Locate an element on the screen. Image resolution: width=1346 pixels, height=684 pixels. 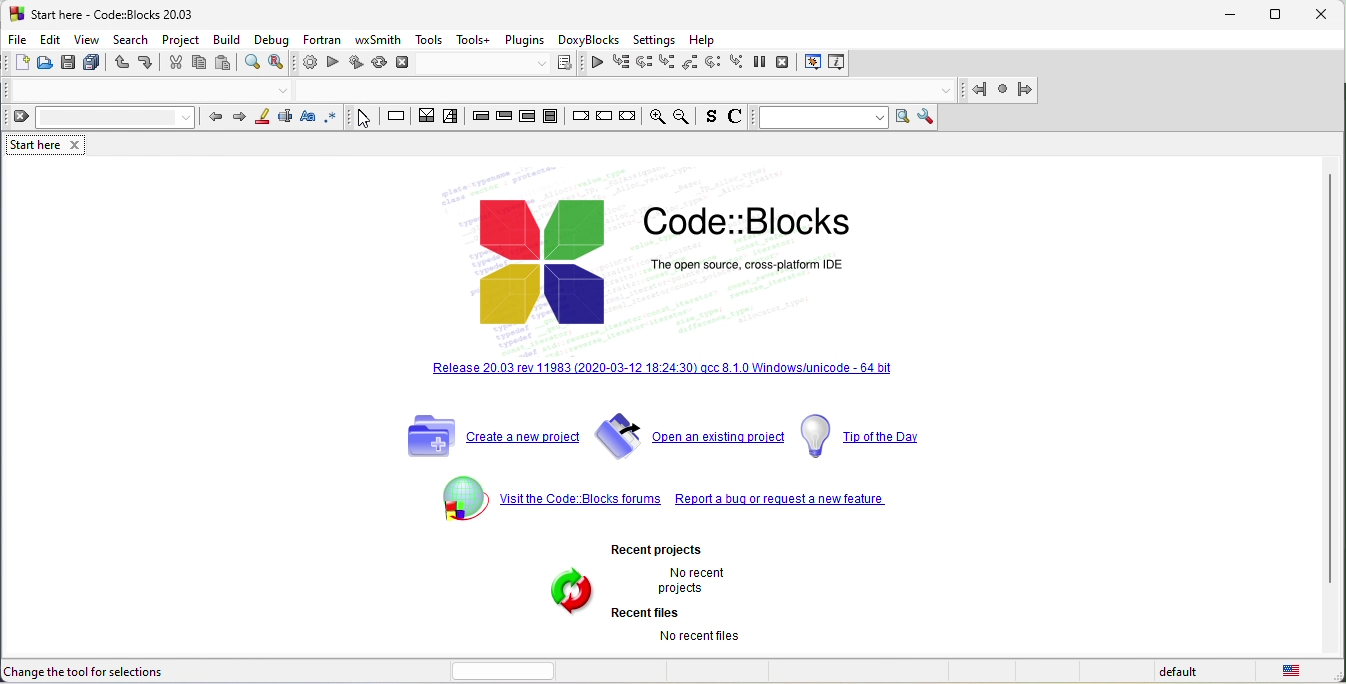
counting loop is located at coordinates (530, 118).